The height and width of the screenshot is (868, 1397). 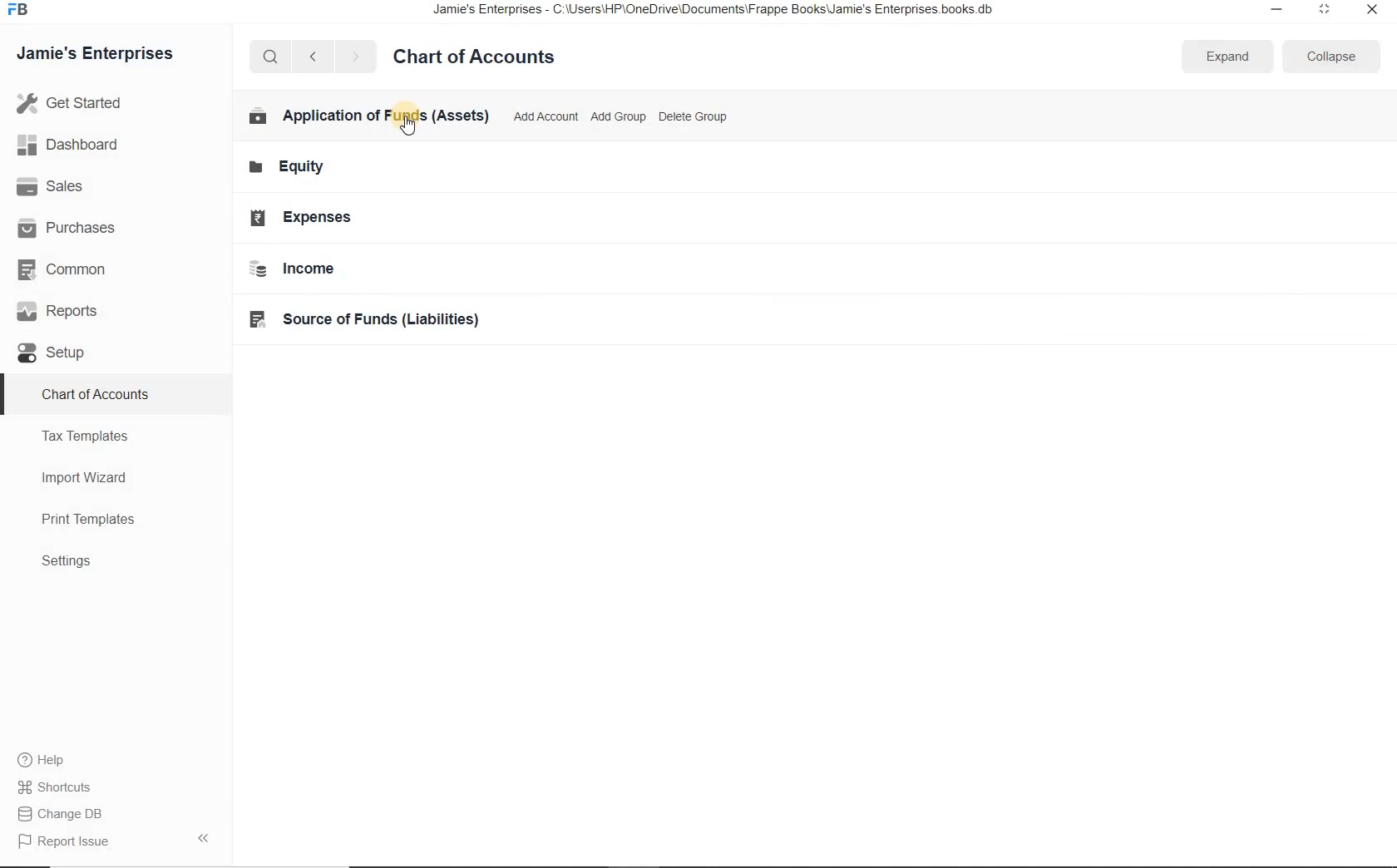 What do you see at coordinates (357, 57) in the screenshot?
I see `forward` at bounding box center [357, 57].